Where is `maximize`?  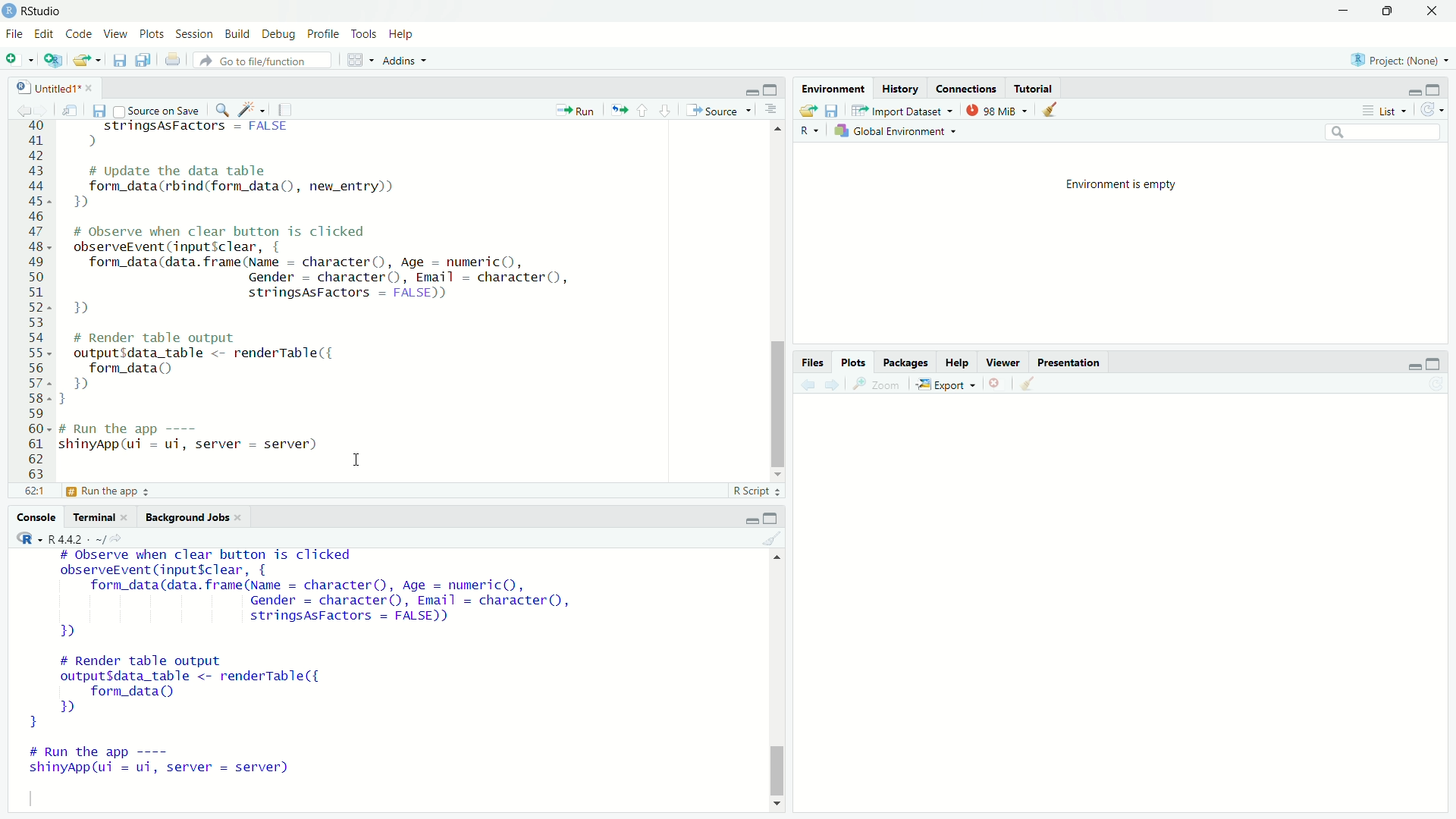
maximize is located at coordinates (1441, 88).